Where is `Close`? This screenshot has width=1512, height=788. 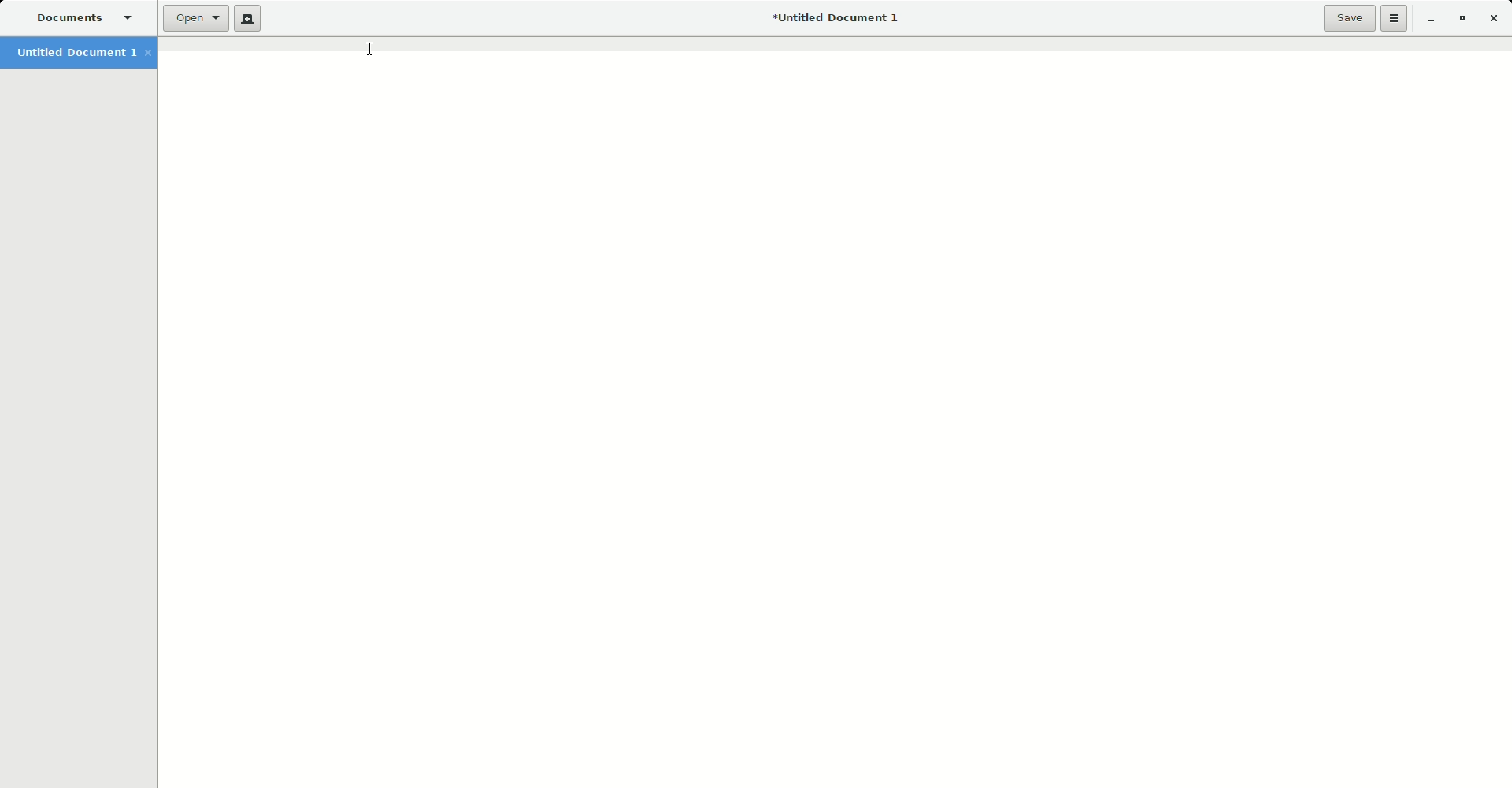
Close is located at coordinates (1494, 18).